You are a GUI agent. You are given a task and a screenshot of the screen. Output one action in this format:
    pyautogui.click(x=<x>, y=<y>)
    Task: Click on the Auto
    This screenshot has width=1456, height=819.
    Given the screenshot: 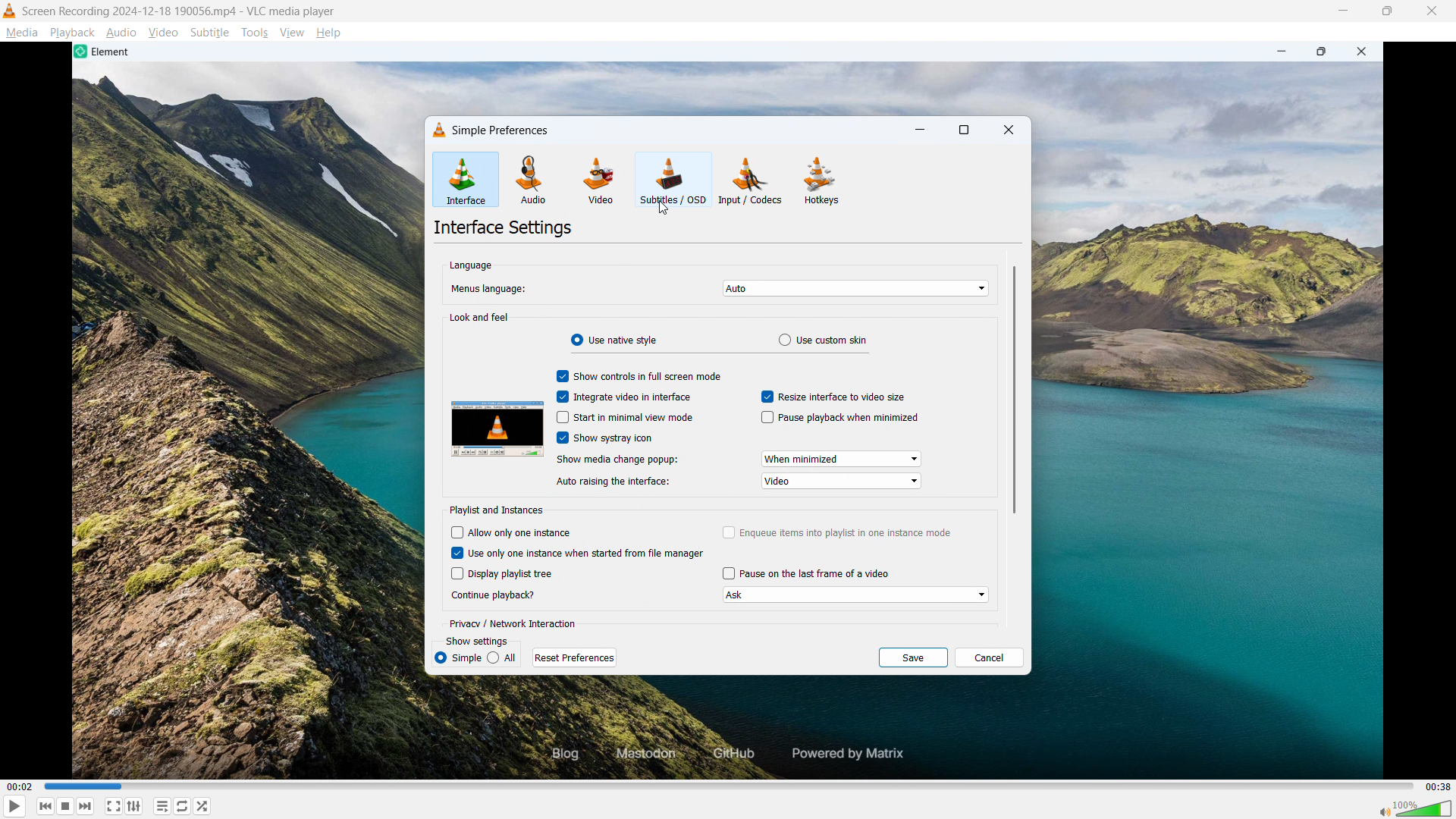 What is the action you would take?
    pyautogui.click(x=857, y=288)
    